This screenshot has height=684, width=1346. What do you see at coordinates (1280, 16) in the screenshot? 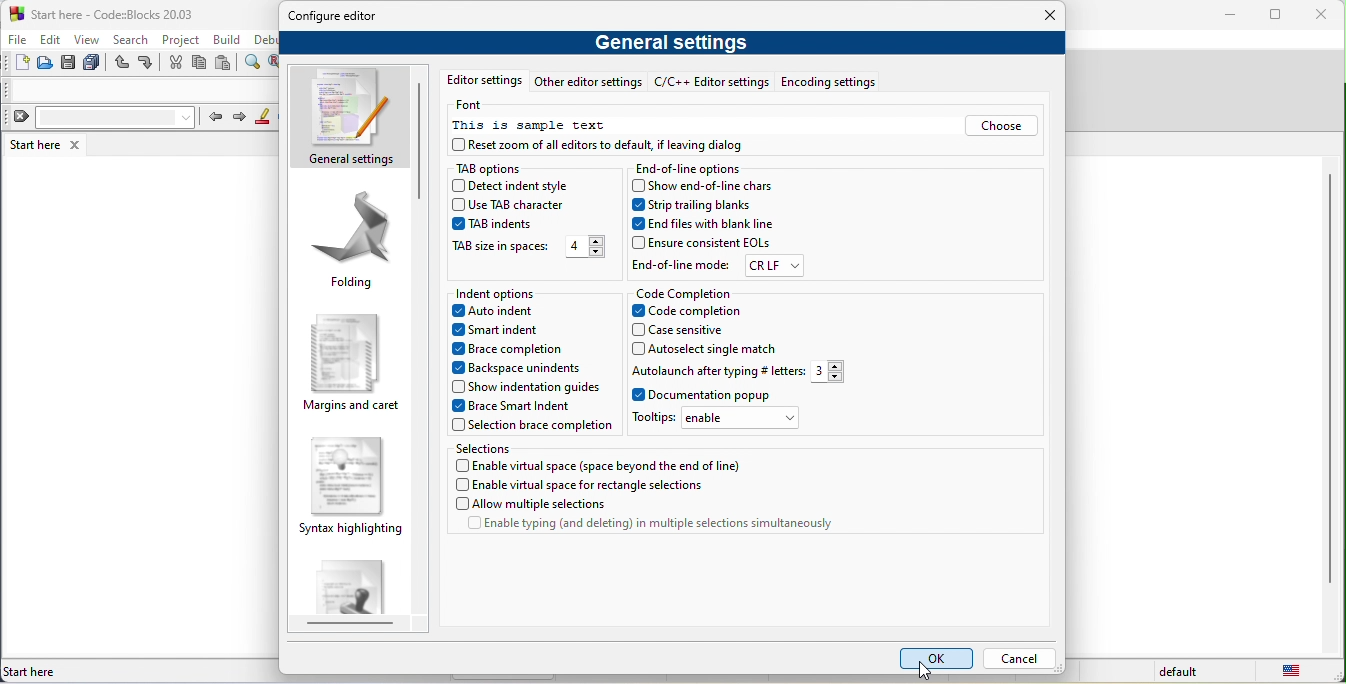
I see `maximize` at bounding box center [1280, 16].